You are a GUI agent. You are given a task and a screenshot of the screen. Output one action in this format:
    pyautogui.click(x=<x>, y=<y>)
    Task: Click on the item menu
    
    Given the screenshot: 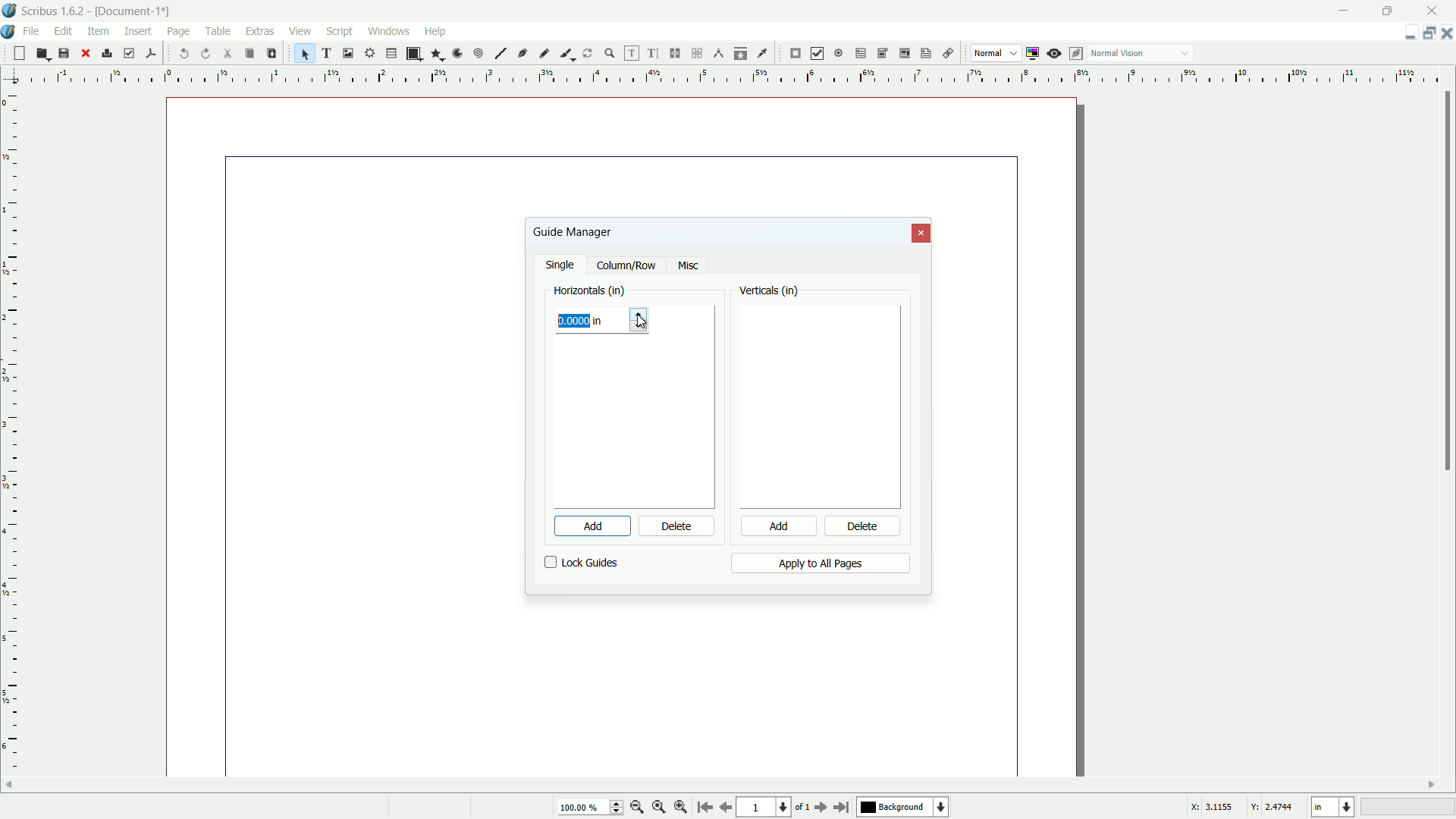 What is the action you would take?
    pyautogui.click(x=99, y=30)
    